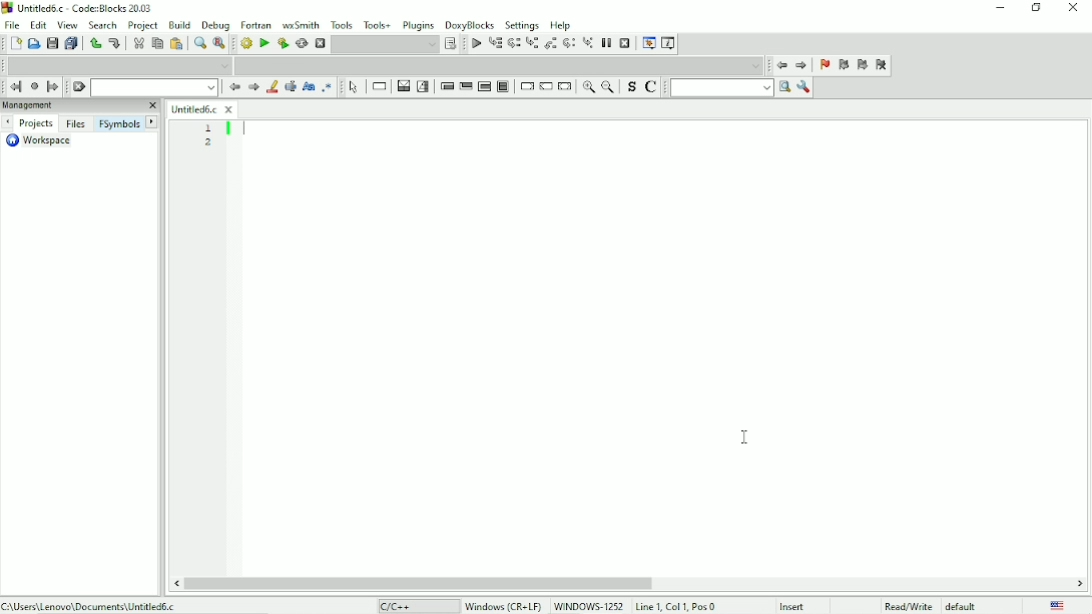 This screenshot has width=1092, height=614. What do you see at coordinates (525, 85) in the screenshot?
I see `Break-instruction` at bounding box center [525, 85].